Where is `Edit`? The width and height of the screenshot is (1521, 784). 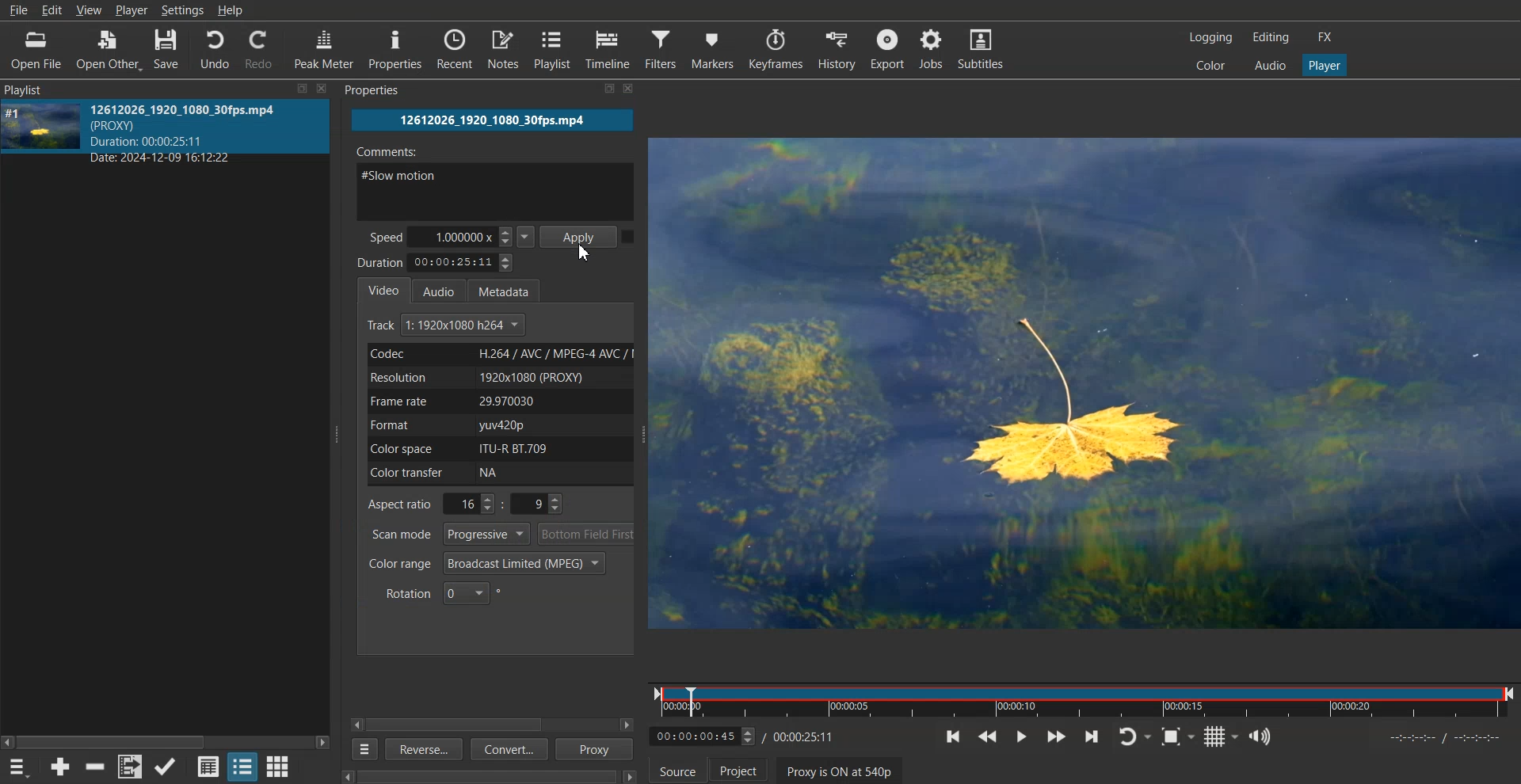 Edit is located at coordinates (51, 10).